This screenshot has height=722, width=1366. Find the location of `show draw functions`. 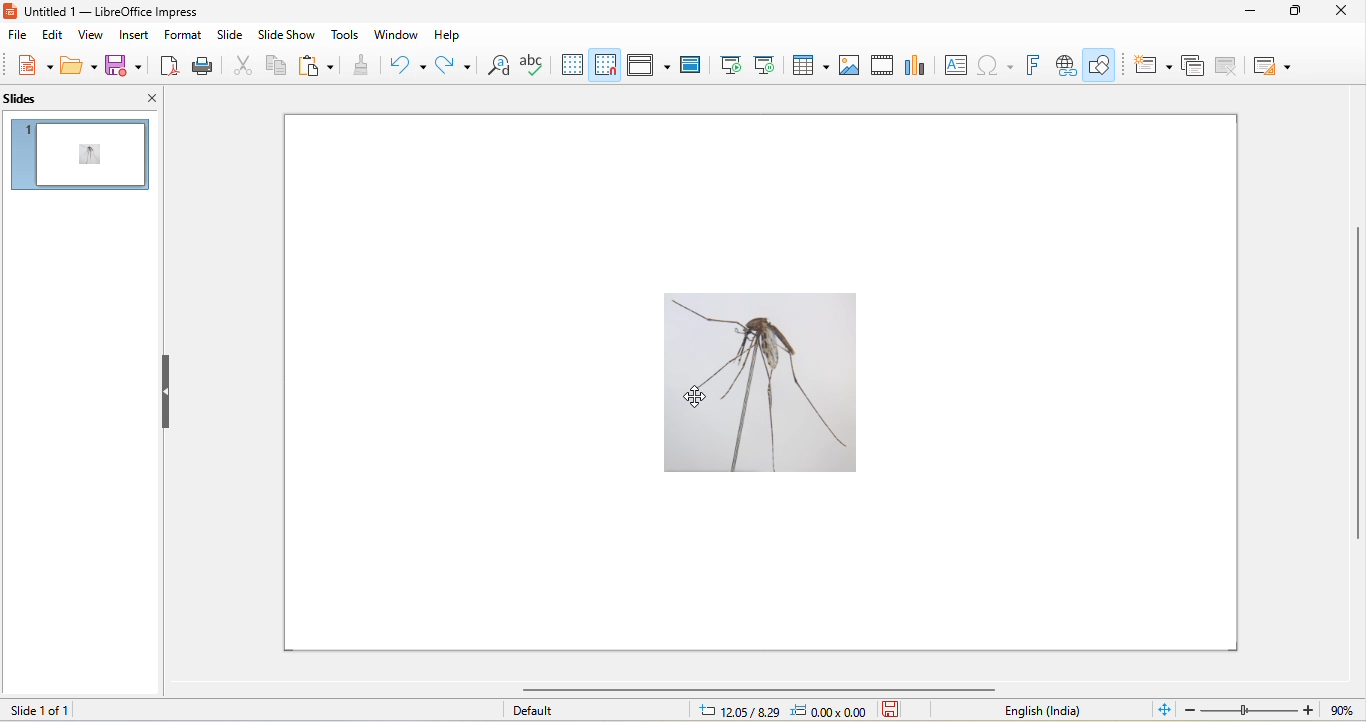

show draw functions is located at coordinates (1100, 66).